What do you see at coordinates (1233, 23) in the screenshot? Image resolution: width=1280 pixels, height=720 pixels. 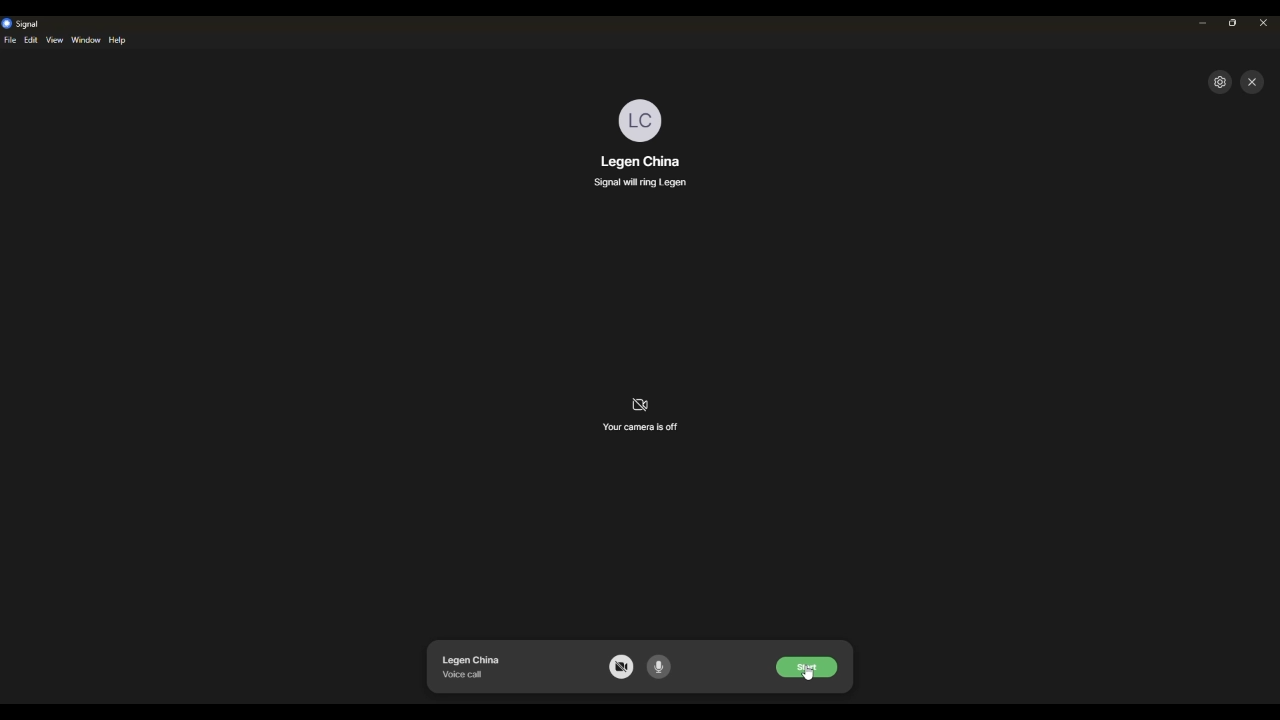 I see `maximize` at bounding box center [1233, 23].